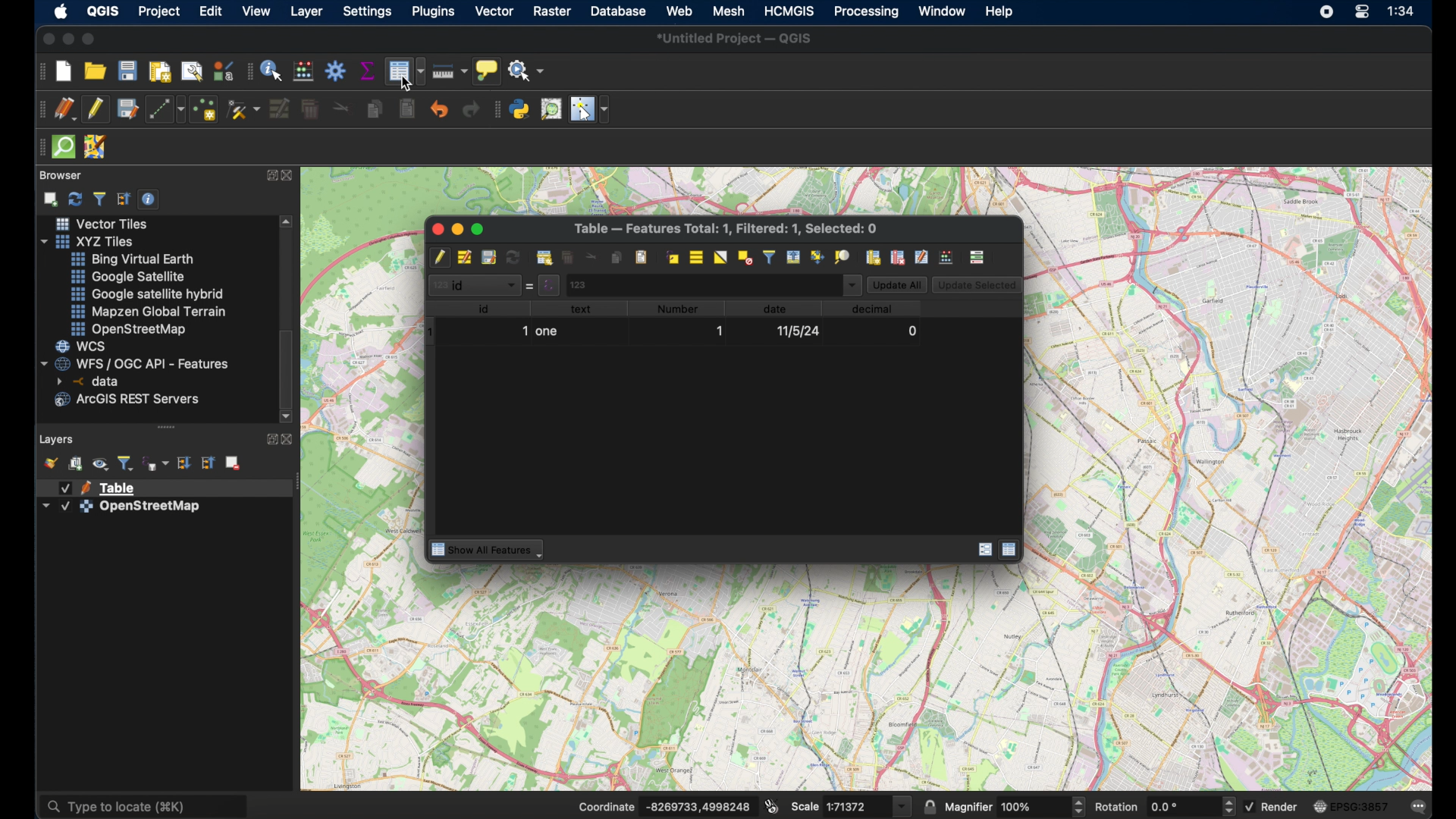  I want to click on new paint layout, so click(161, 72).